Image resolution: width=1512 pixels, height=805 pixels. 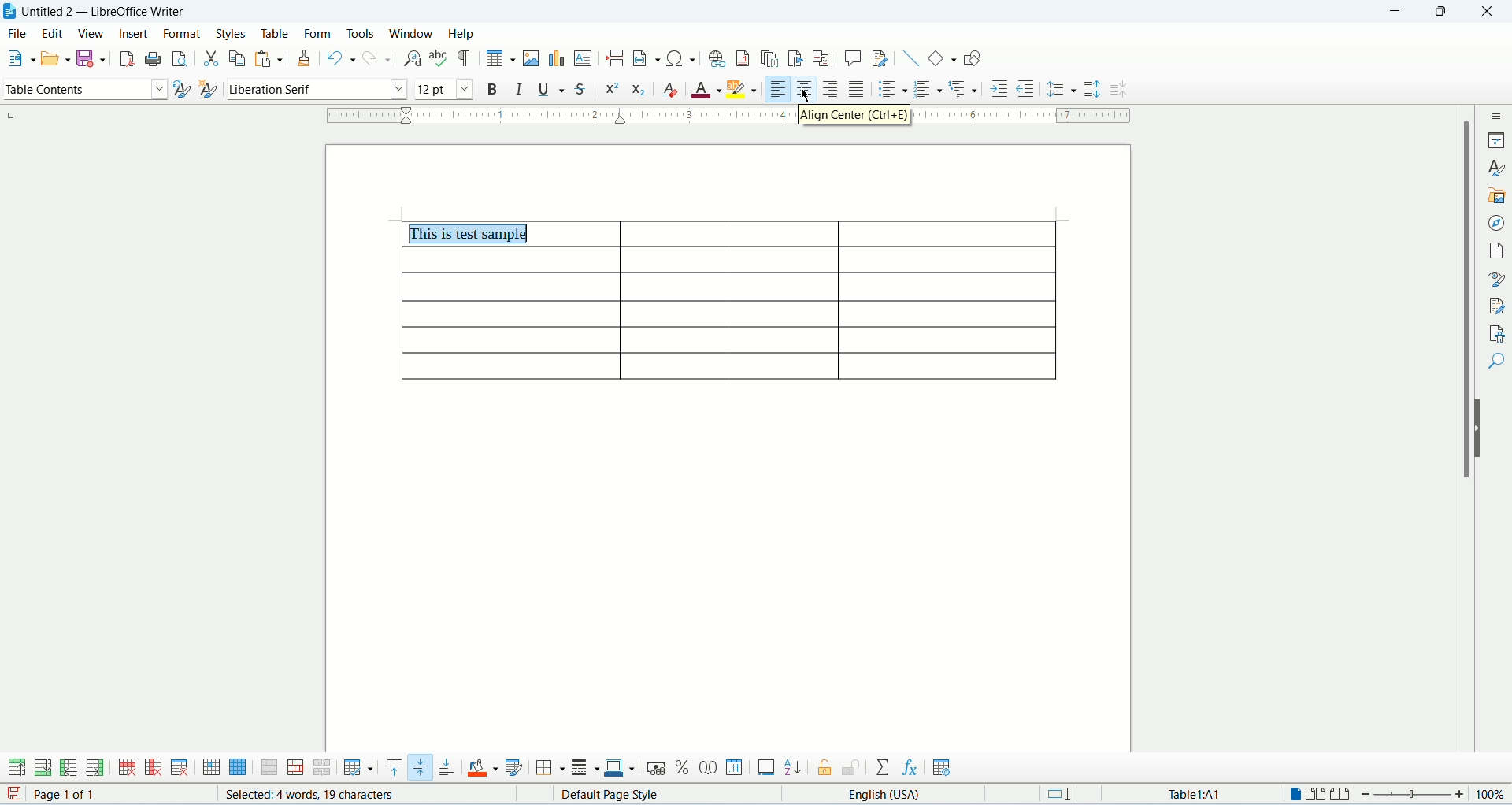 What do you see at coordinates (365, 33) in the screenshot?
I see `tools` at bounding box center [365, 33].